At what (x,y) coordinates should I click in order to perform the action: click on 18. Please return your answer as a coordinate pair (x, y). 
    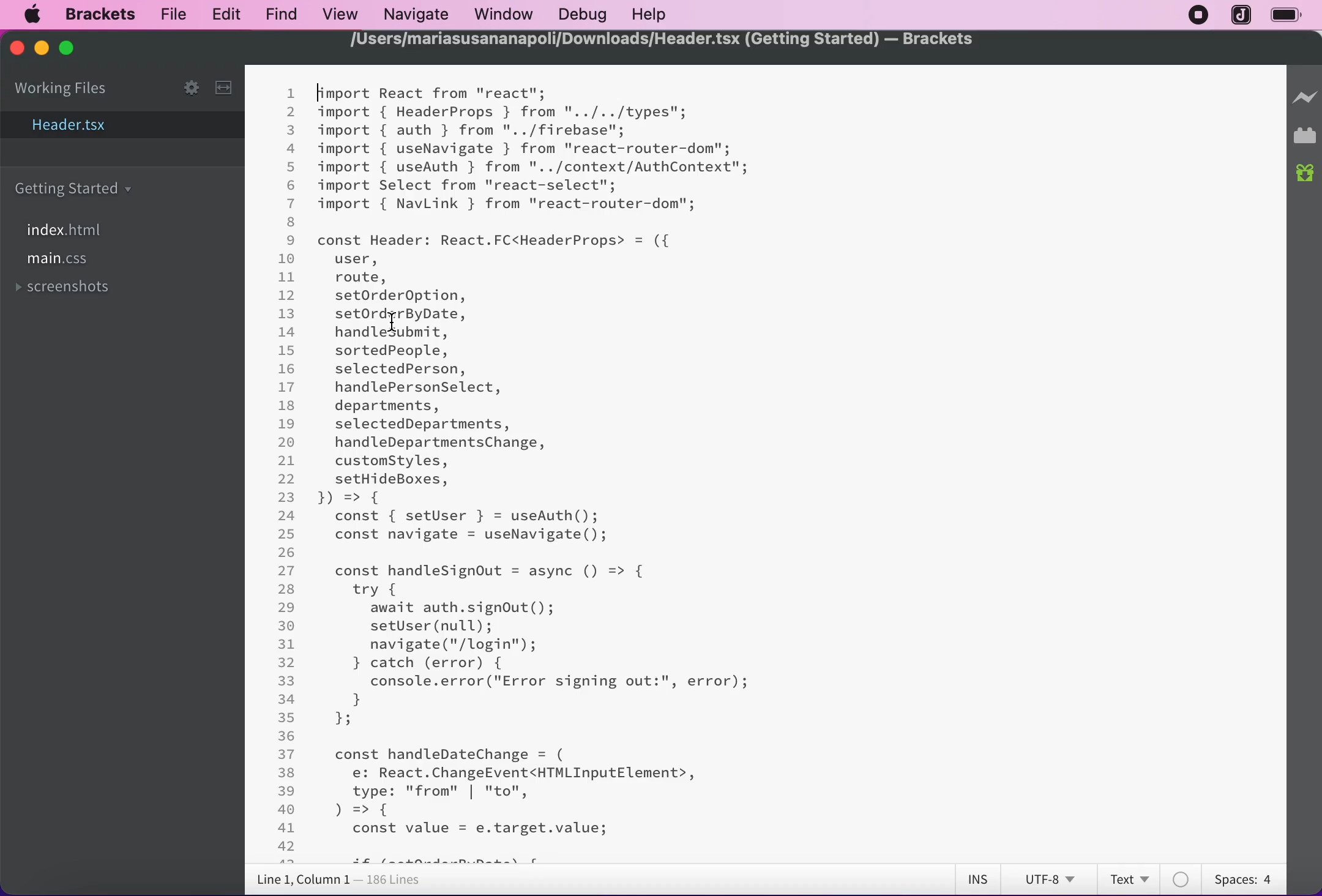
    Looking at the image, I should click on (286, 405).